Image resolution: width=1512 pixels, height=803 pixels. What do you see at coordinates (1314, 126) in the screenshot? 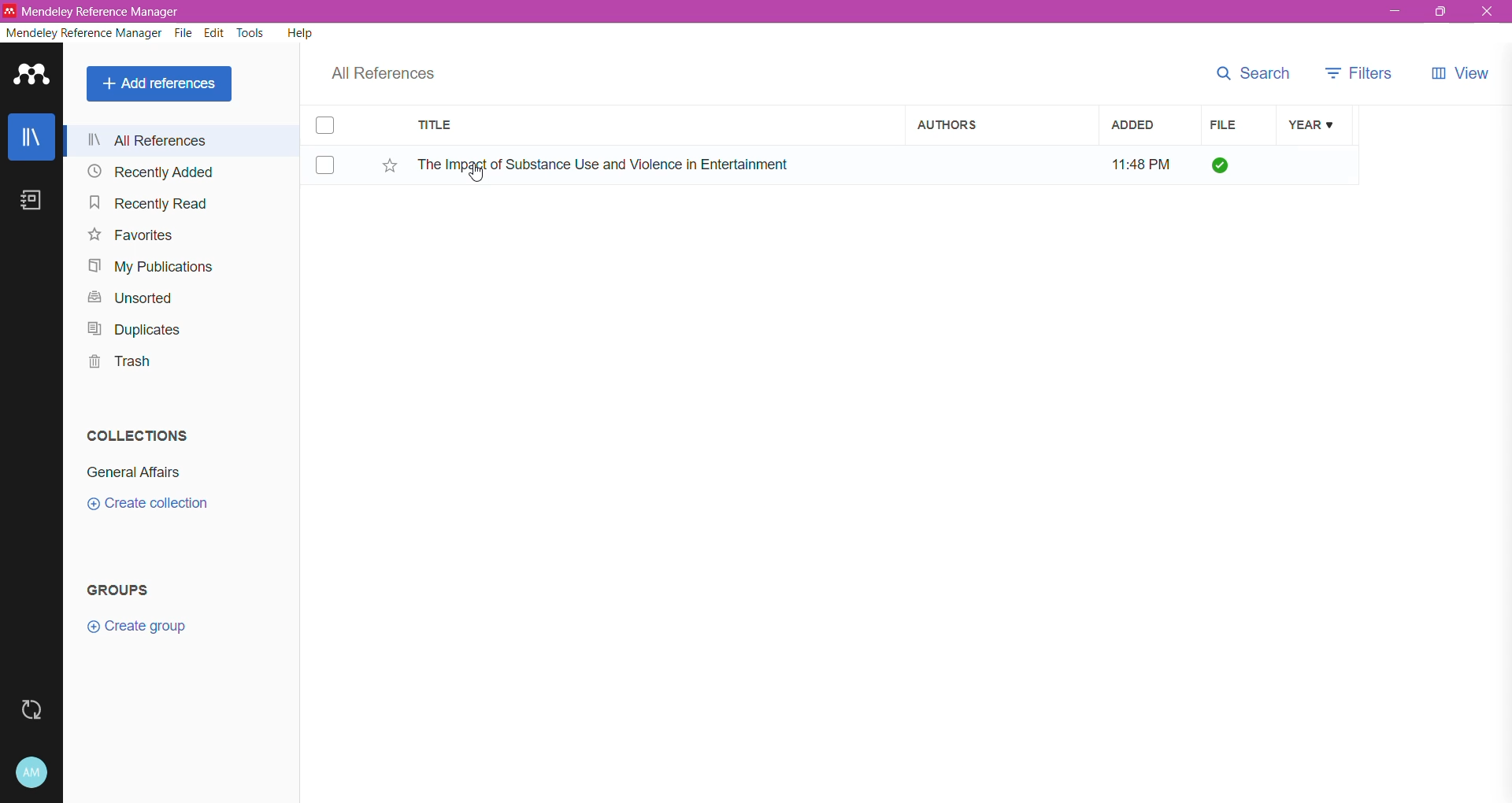
I see `Year` at bounding box center [1314, 126].